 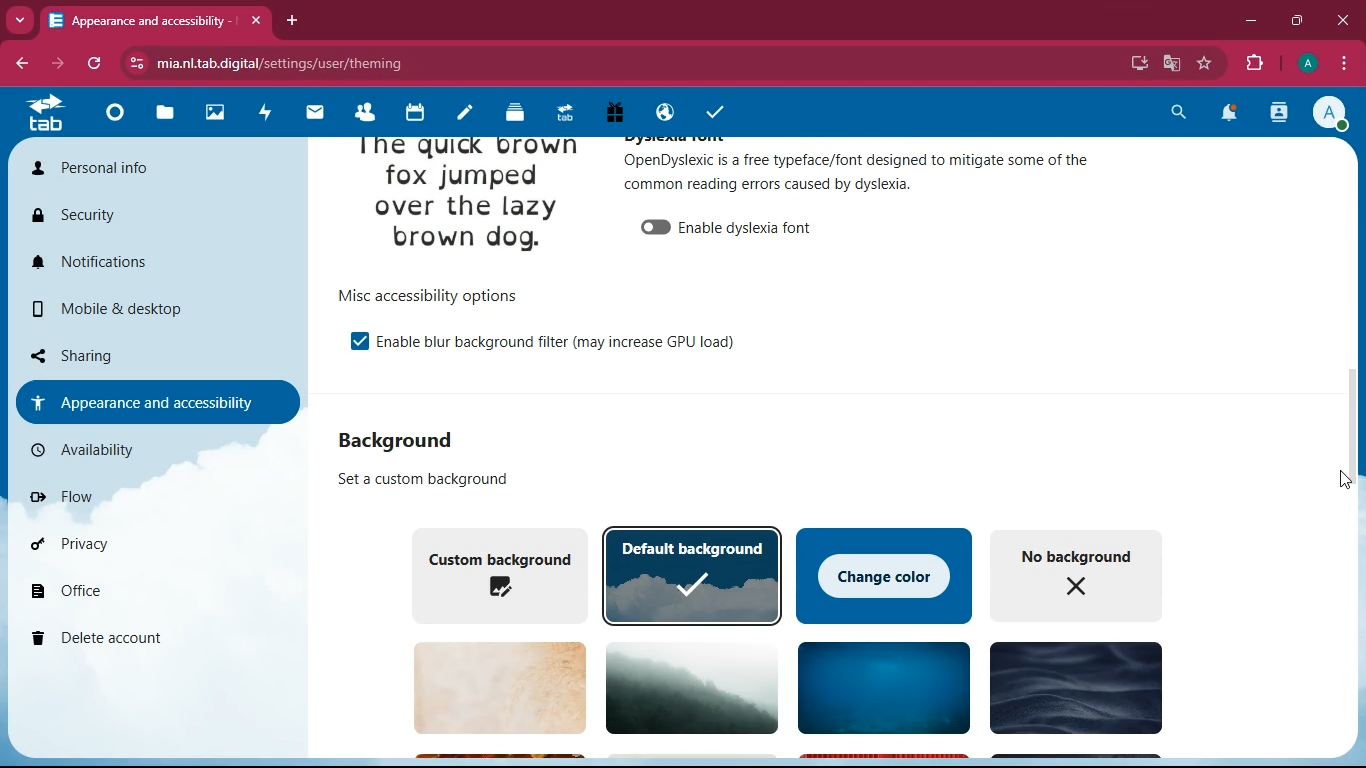 What do you see at coordinates (1334, 114) in the screenshot?
I see `profile` at bounding box center [1334, 114].